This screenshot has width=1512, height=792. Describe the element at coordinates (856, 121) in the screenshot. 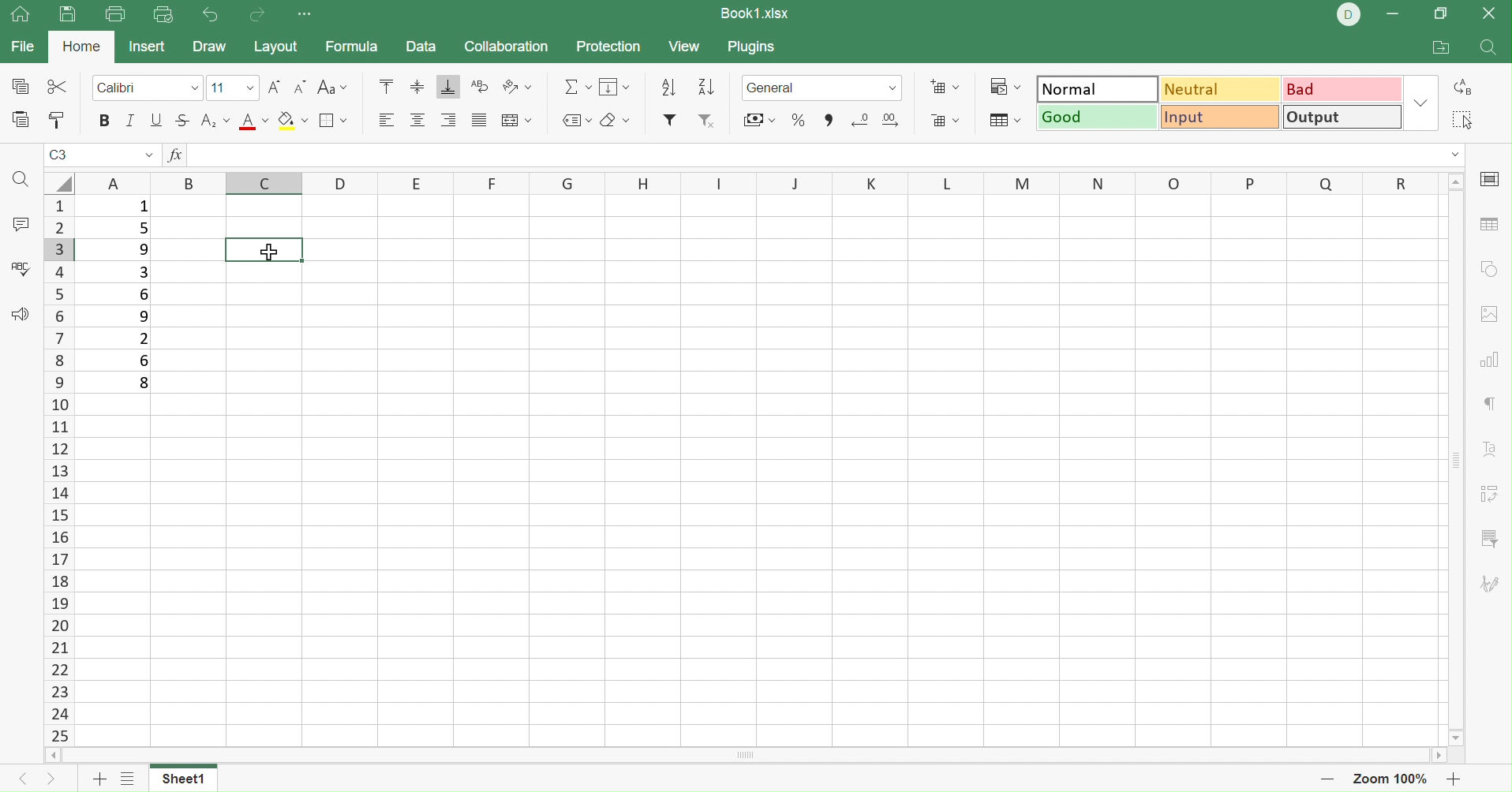

I see `Decrease decimal` at that location.